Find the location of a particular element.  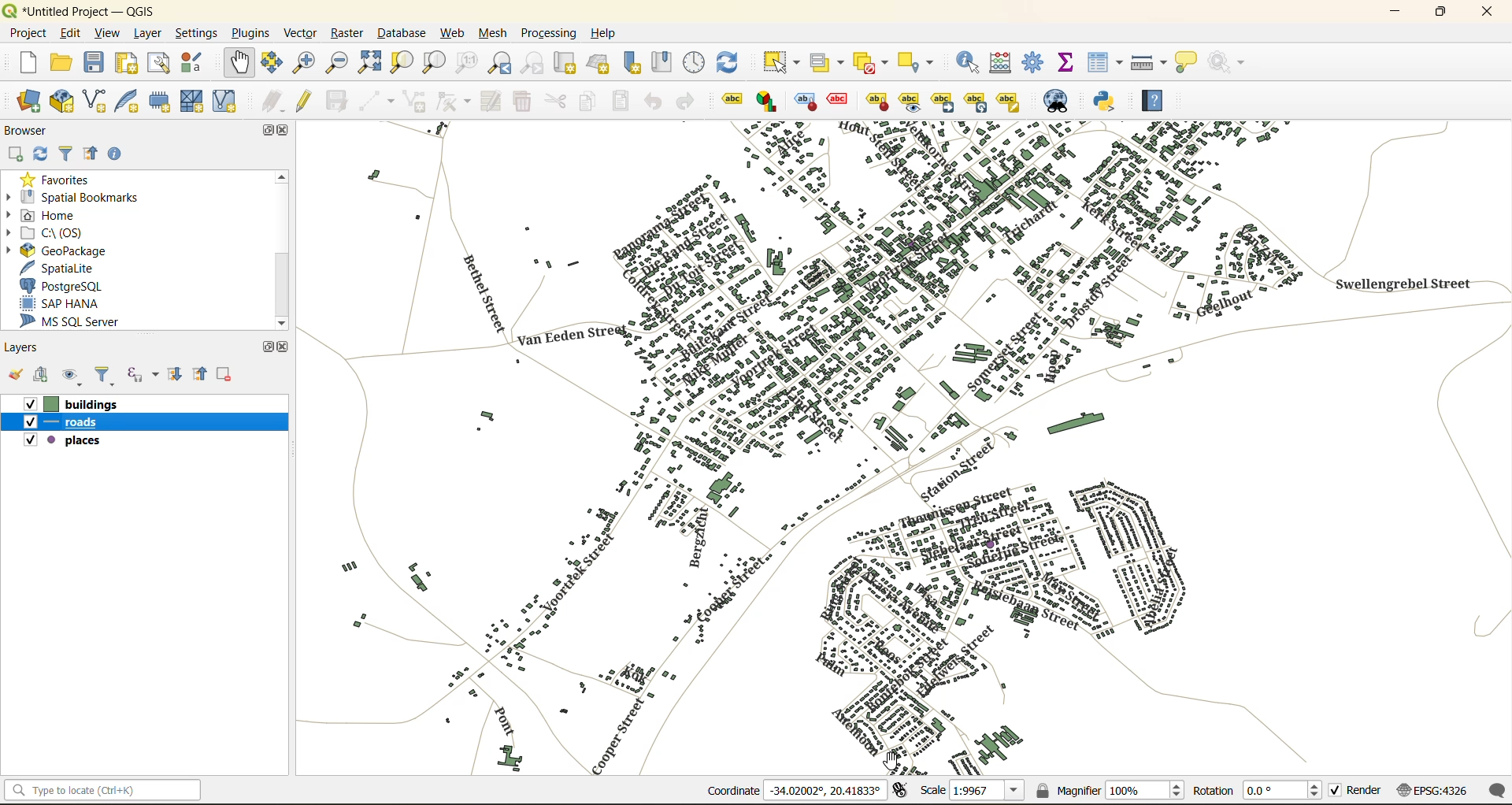

highlight pinned labels , diagrams and callouts is located at coordinates (806, 101).